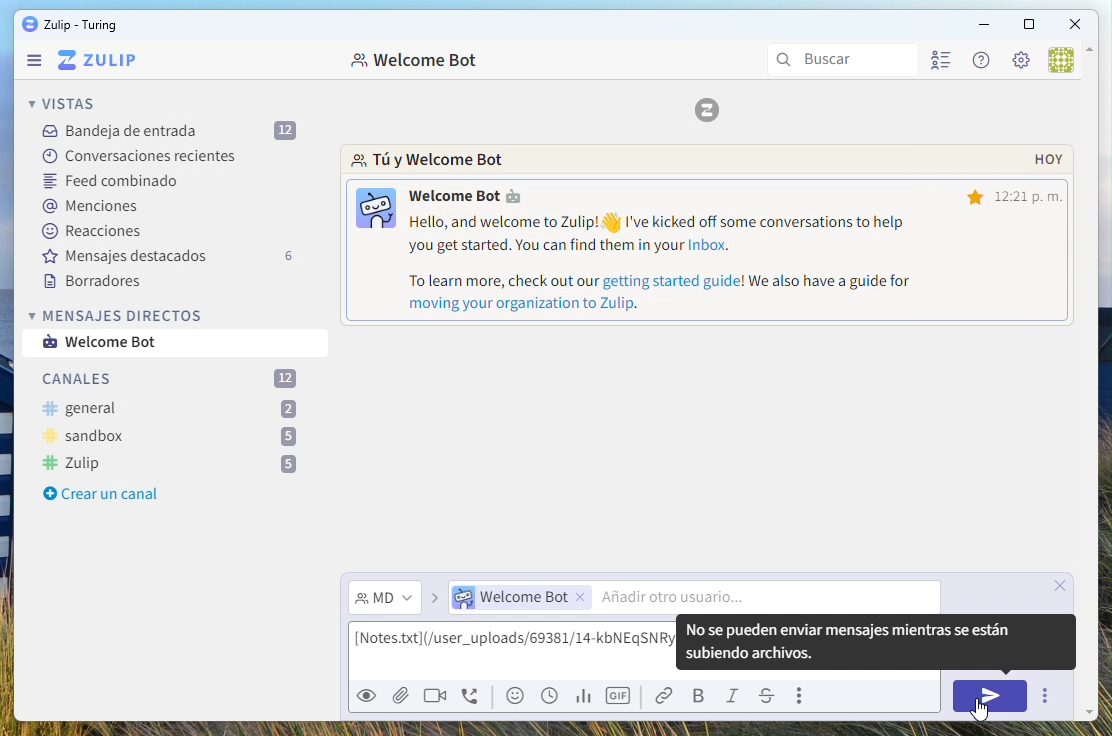 This screenshot has width=1112, height=736. Describe the element at coordinates (705, 239) in the screenshot. I see `2, Tay Welcome Bot HOY
[=] Welcome Bot * 1221p.m
Hello, and welcome to Zulip! #) I've kicked off some conversations to help
You get started. You can find them in your Inbox.
To learn more, check out our getting started guide! We also have a guide for
moving your organization to Zulip.` at that location.